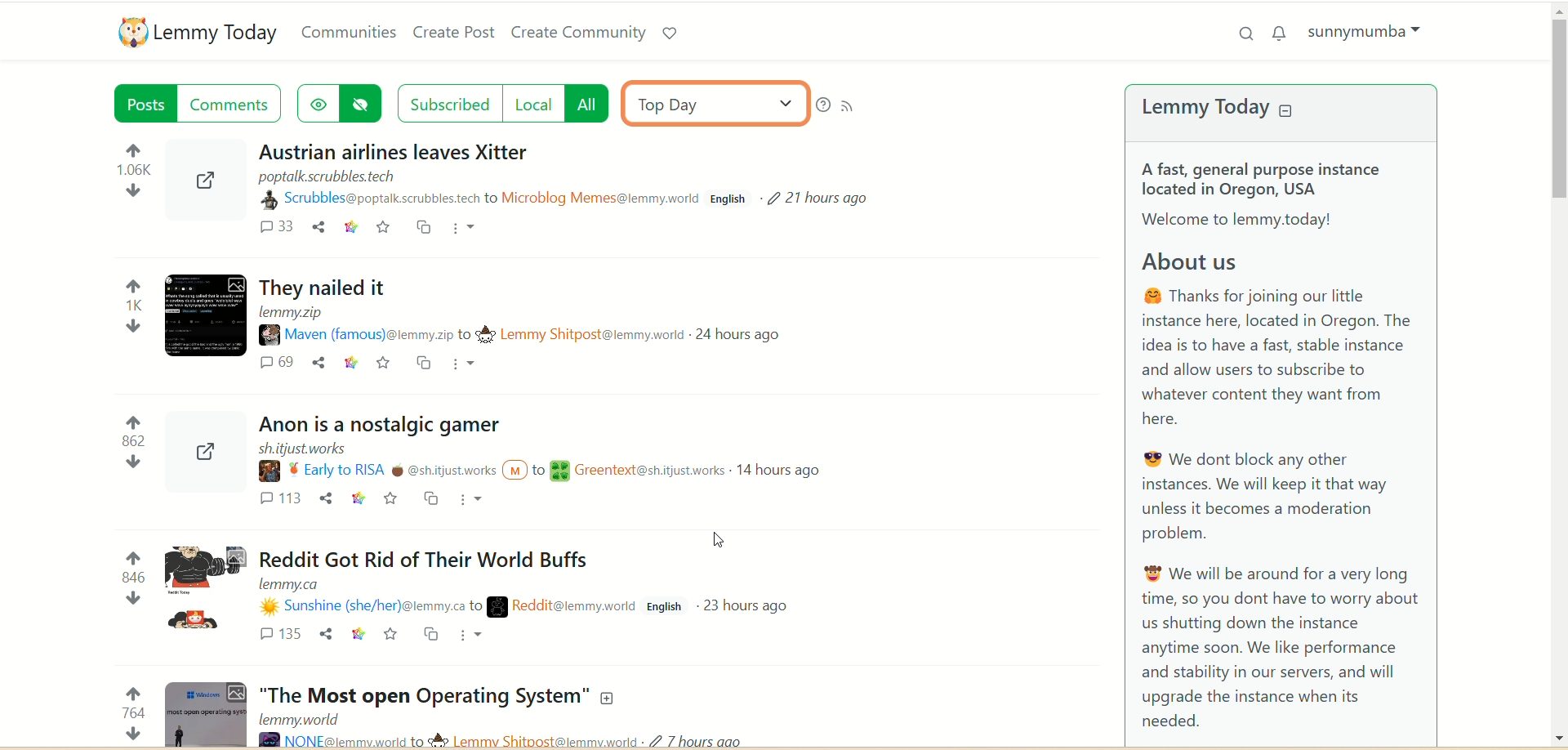 This screenshot has width=1568, height=750. I want to click on RSS, so click(860, 109).